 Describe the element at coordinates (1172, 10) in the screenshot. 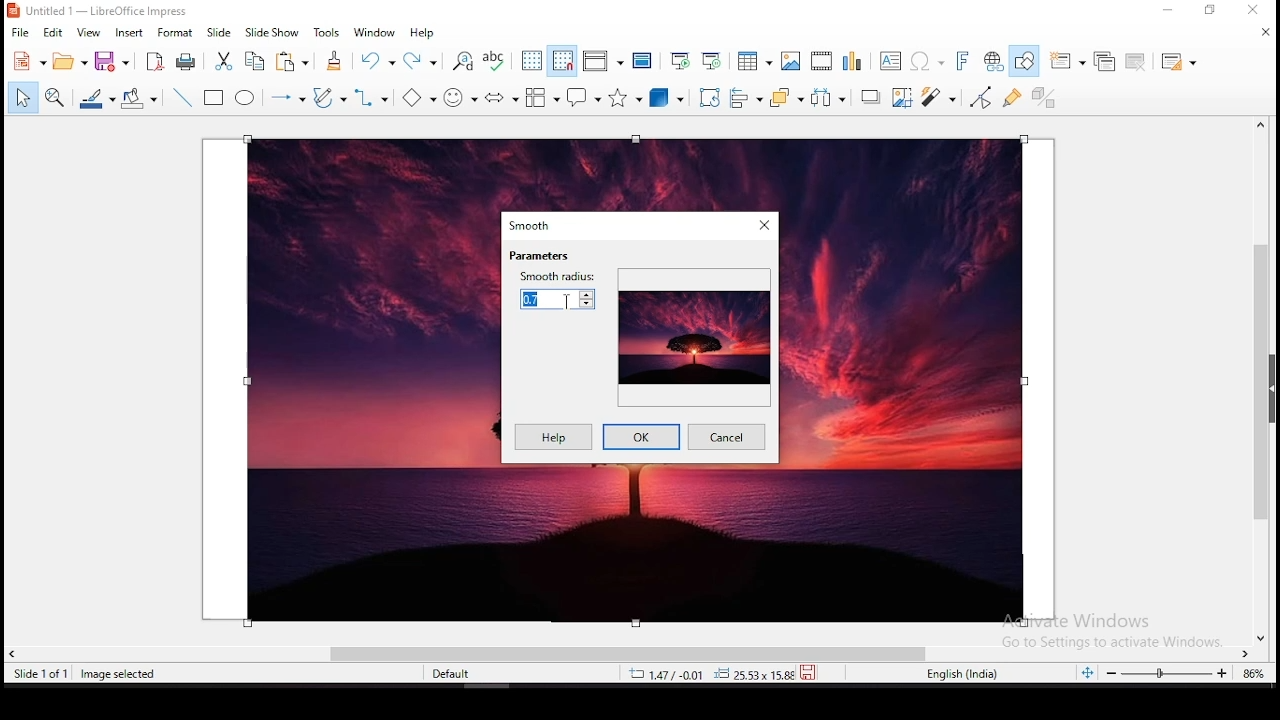

I see `minimize` at that location.